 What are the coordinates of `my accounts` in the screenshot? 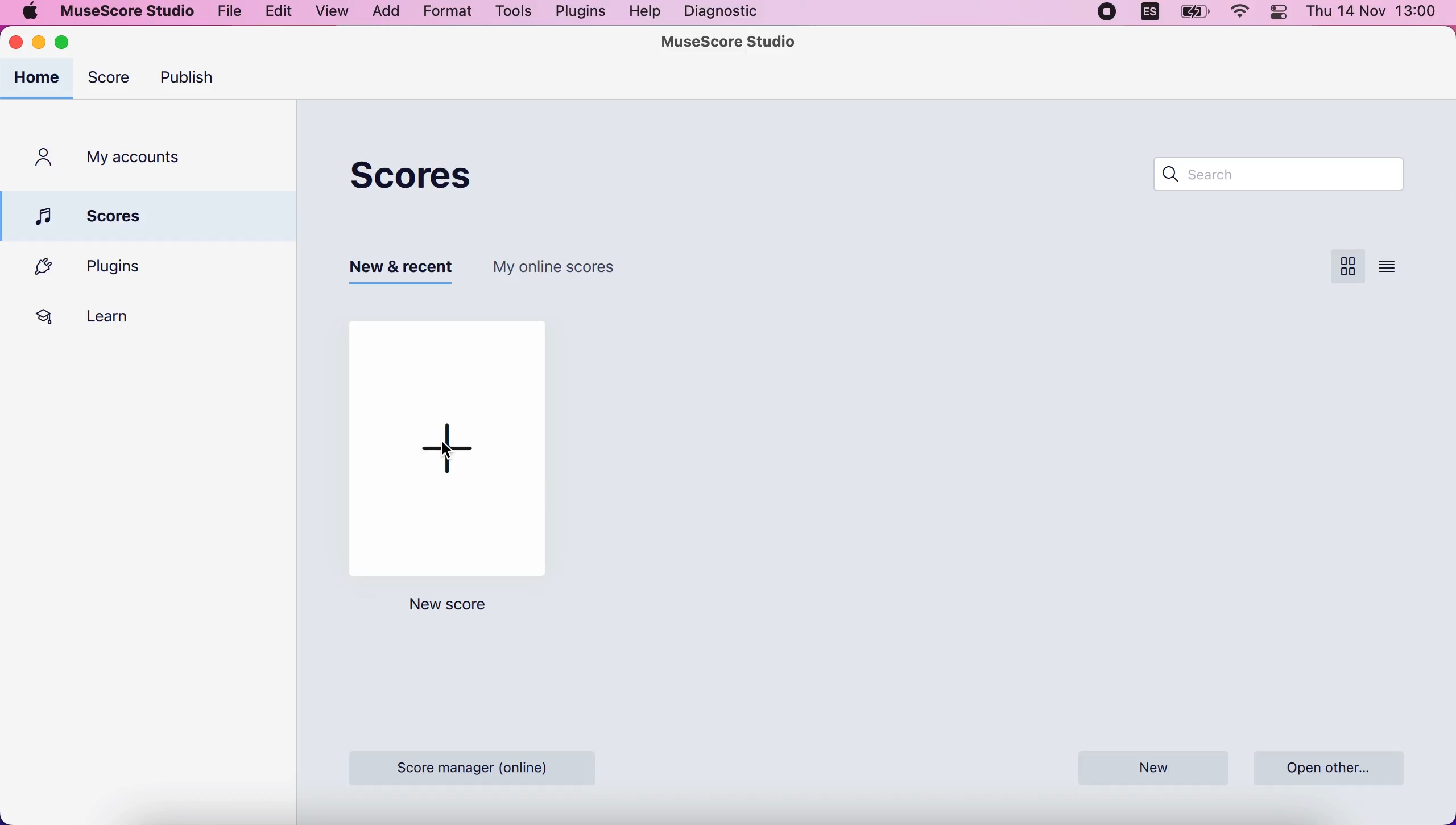 It's located at (122, 159).